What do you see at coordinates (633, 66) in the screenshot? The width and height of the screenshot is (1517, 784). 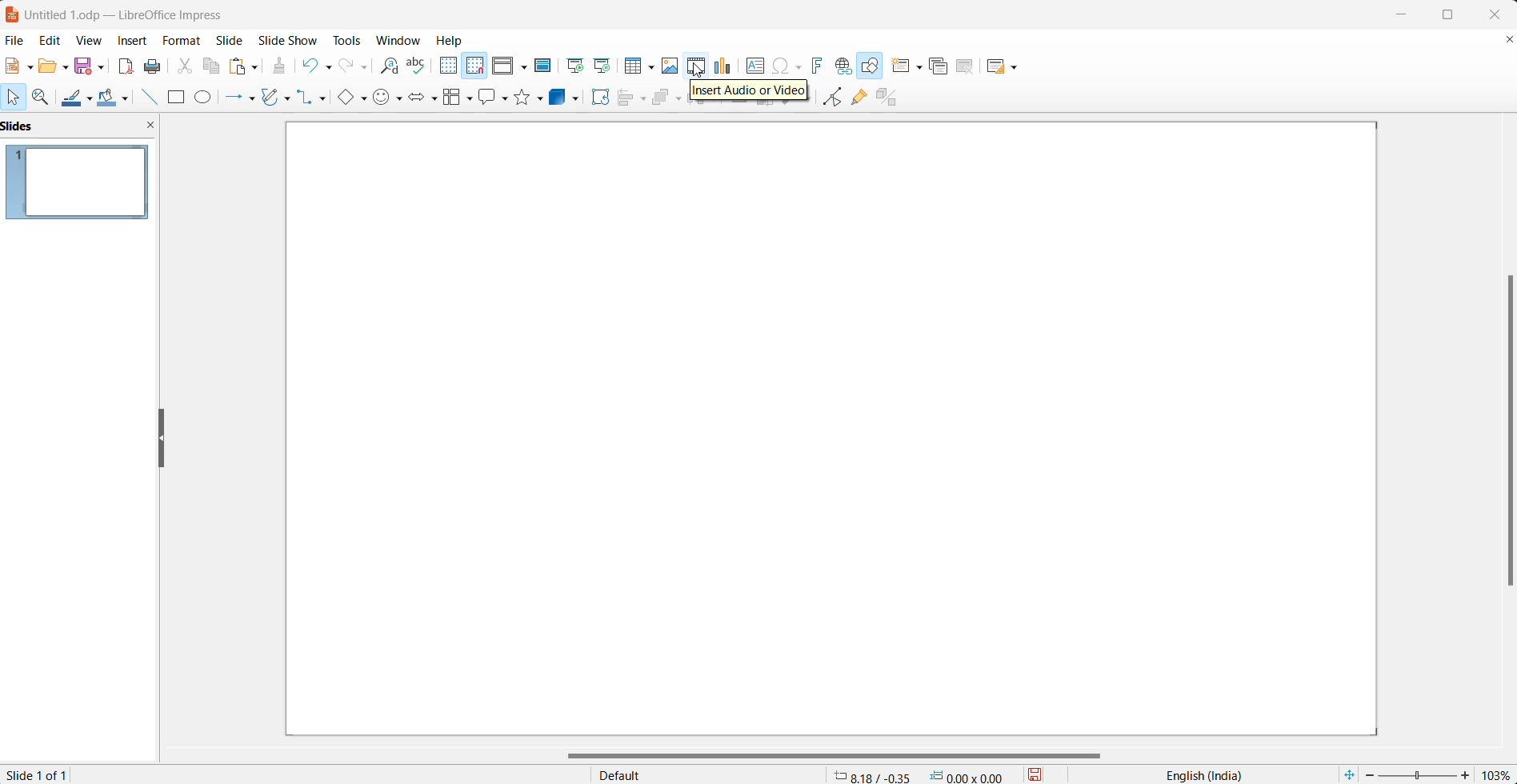 I see `insert table` at bounding box center [633, 66].